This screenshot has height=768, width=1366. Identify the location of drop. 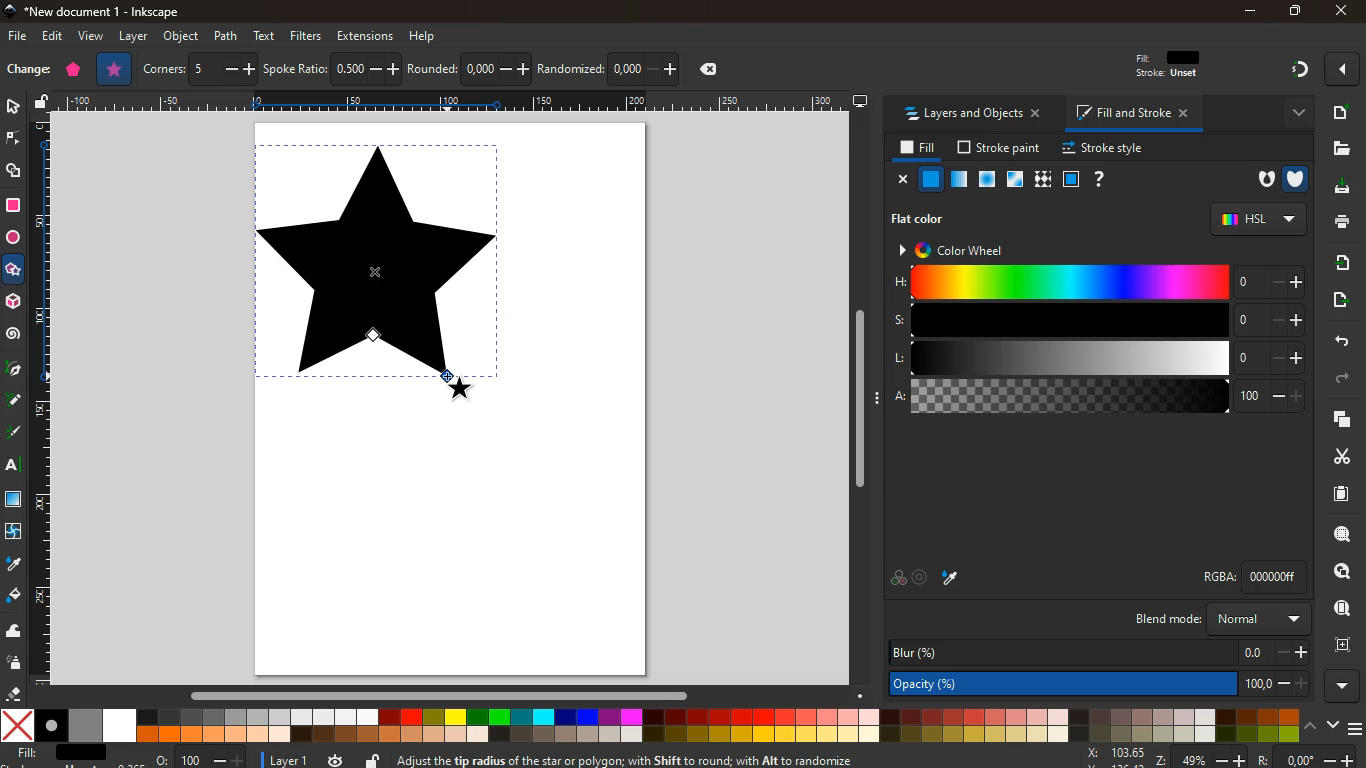
(14, 564).